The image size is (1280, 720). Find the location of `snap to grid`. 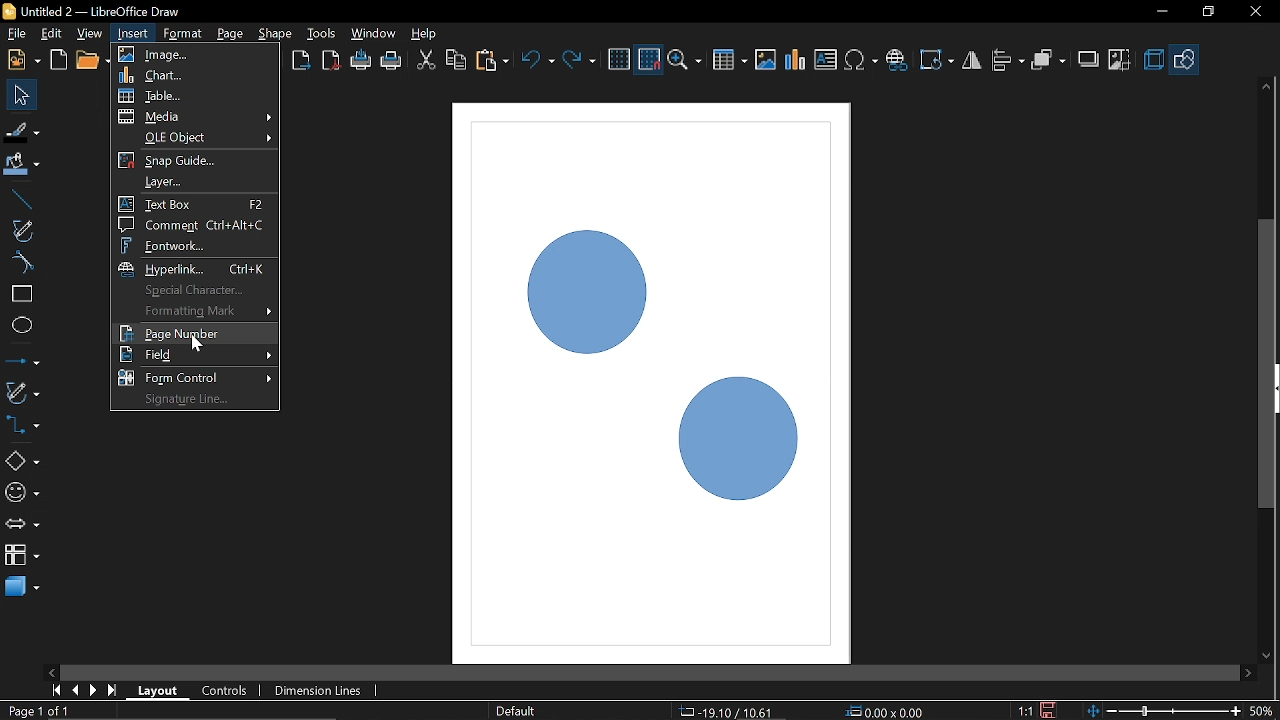

snap to grid is located at coordinates (650, 60).